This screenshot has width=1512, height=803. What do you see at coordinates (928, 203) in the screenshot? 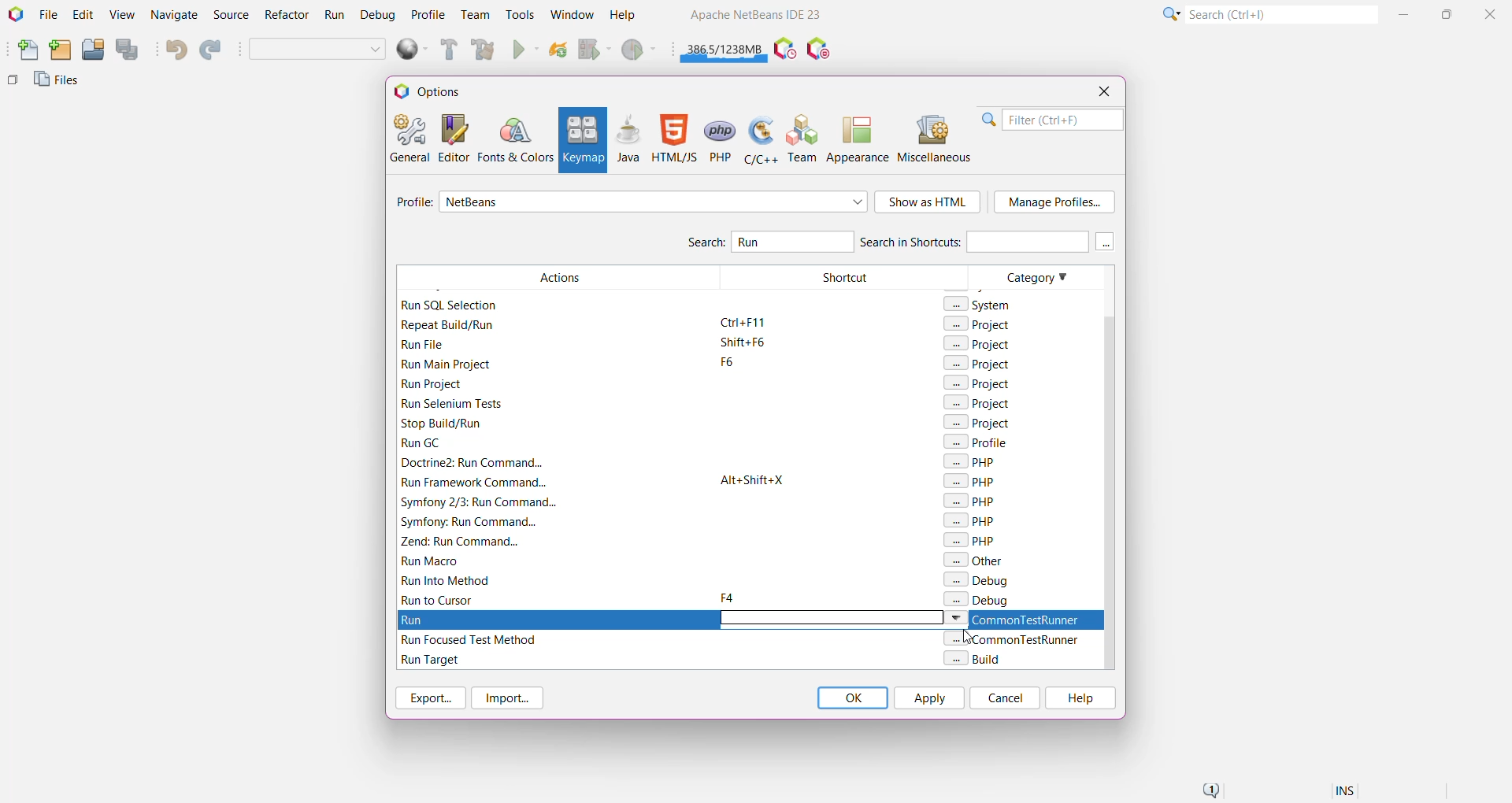
I see `Show as HTML` at bounding box center [928, 203].